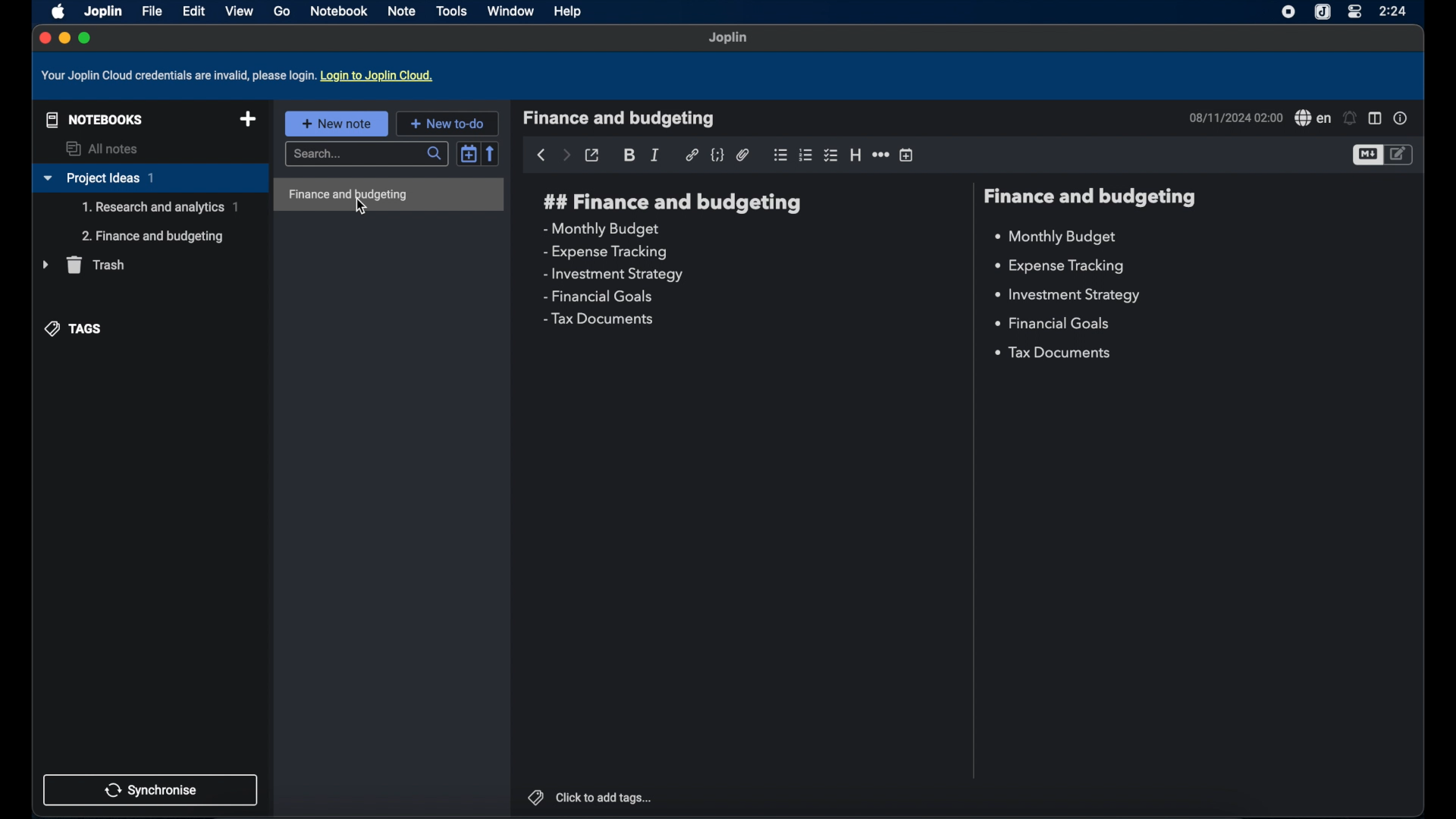  Describe the element at coordinates (566, 156) in the screenshot. I see `forward` at that location.